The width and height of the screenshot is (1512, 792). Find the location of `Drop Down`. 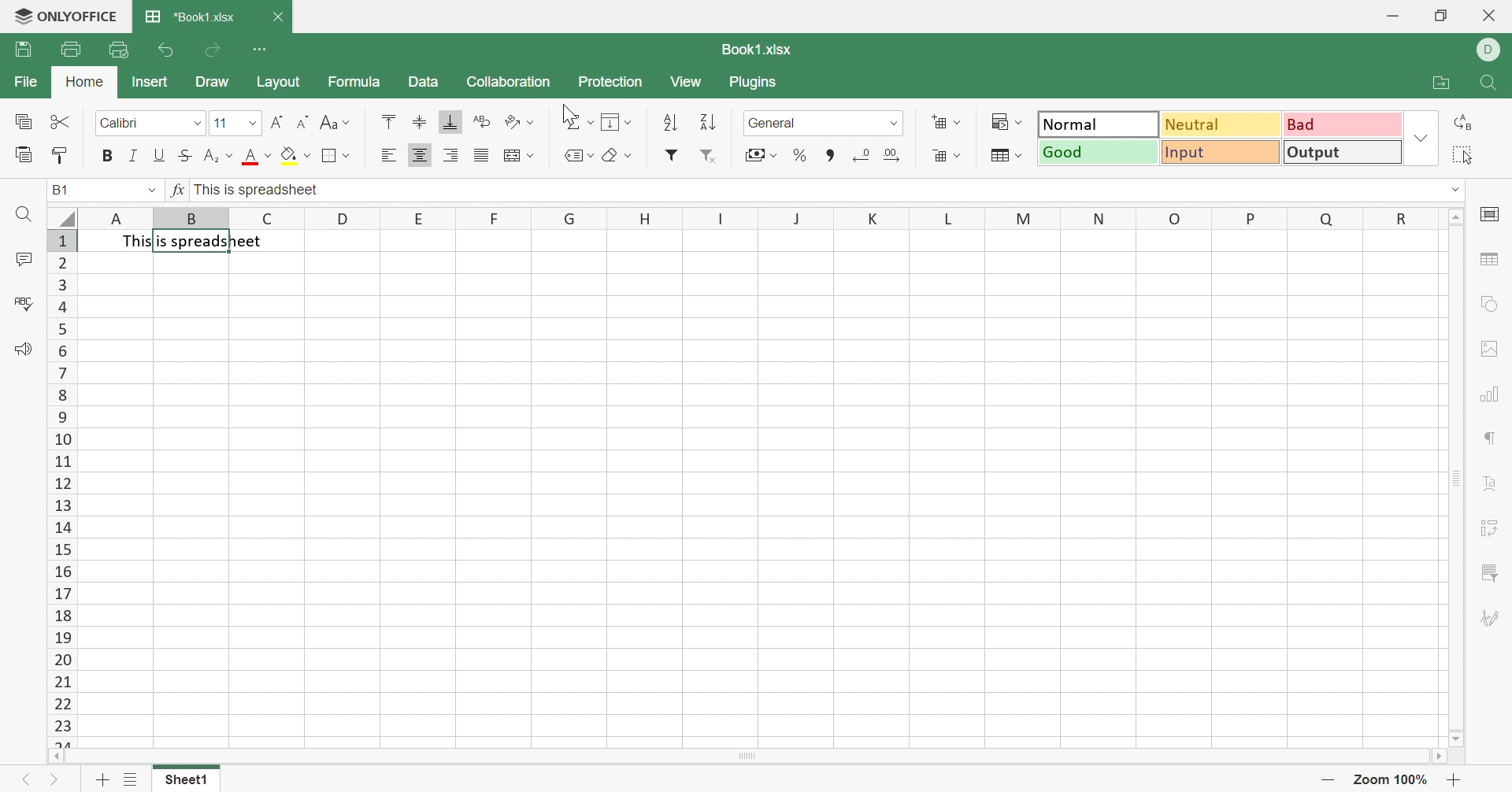

Drop Down is located at coordinates (1020, 154).